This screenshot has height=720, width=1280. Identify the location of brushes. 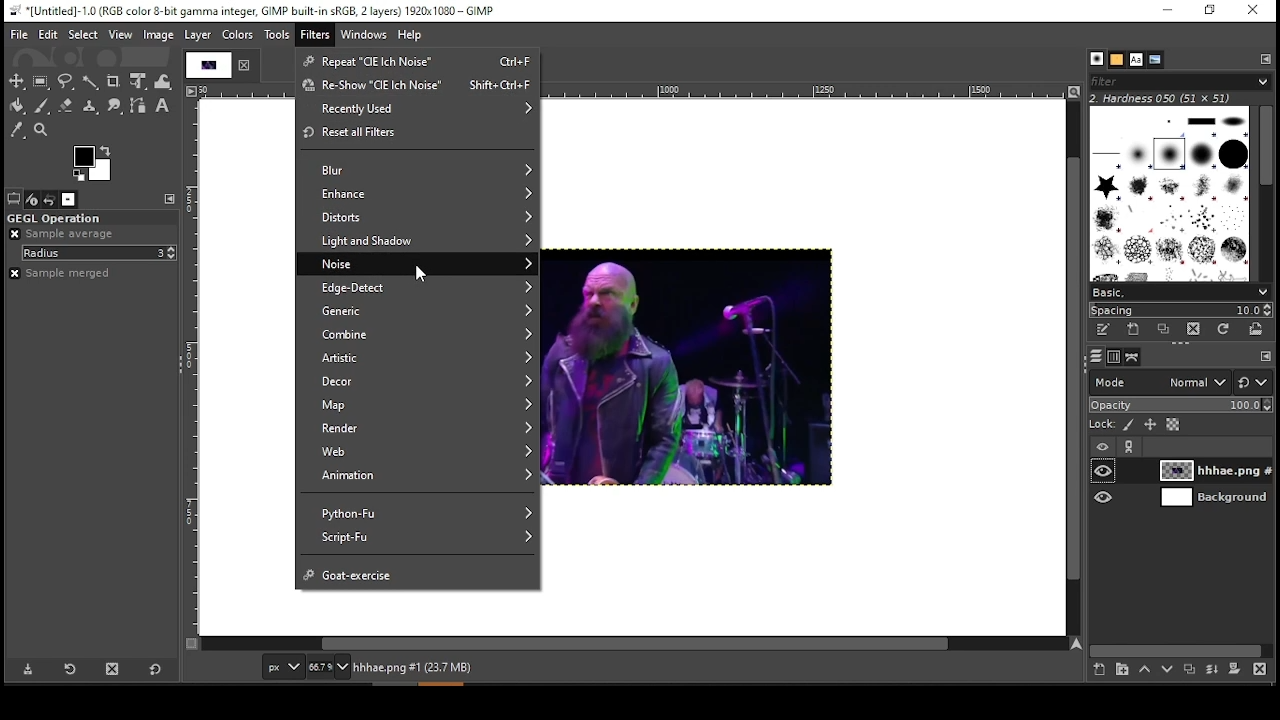
(1171, 194).